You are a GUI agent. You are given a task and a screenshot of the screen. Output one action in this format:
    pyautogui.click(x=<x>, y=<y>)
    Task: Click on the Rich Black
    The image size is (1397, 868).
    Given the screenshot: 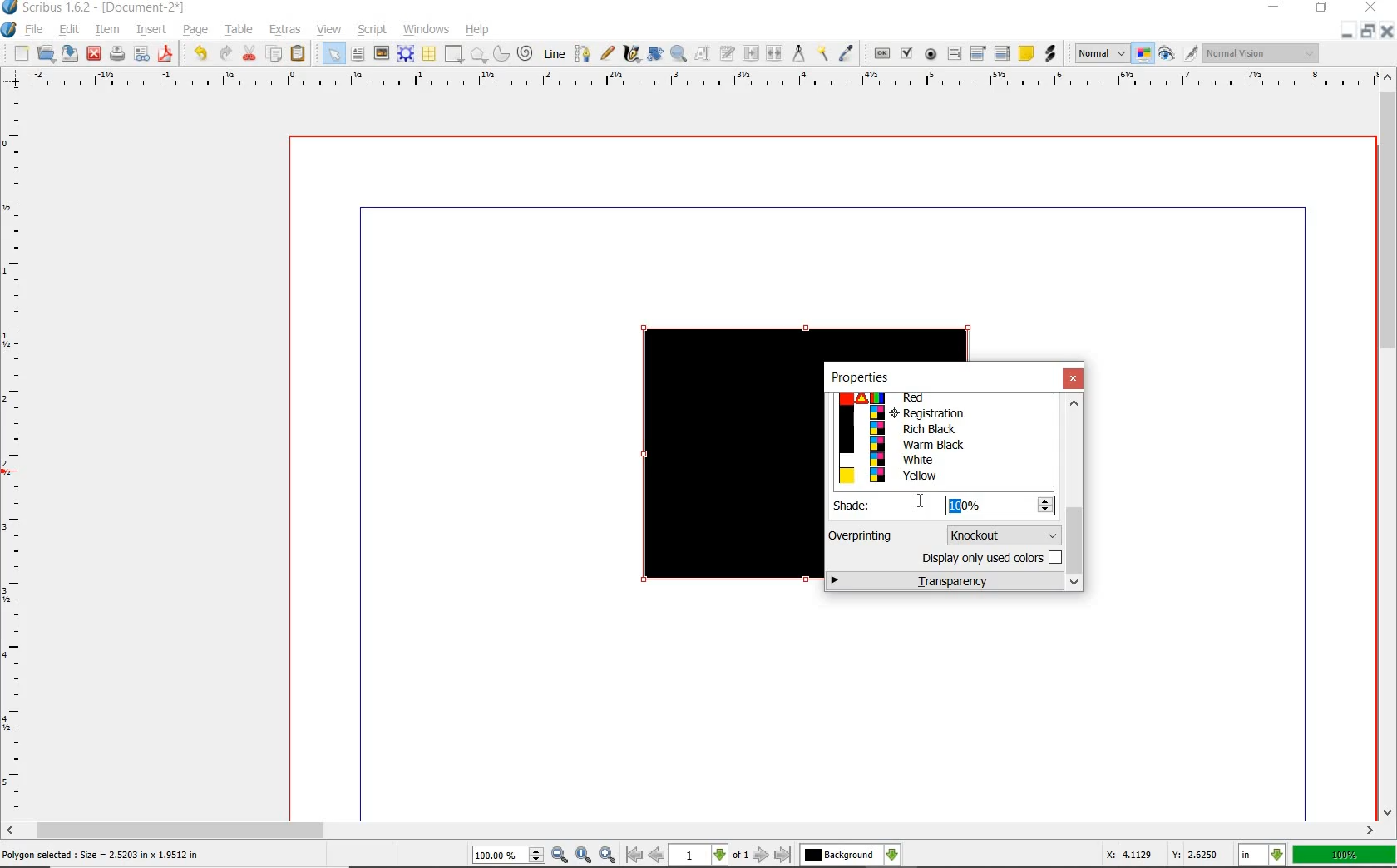 What is the action you would take?
    pyautogui.click(x=941, y=430)
    